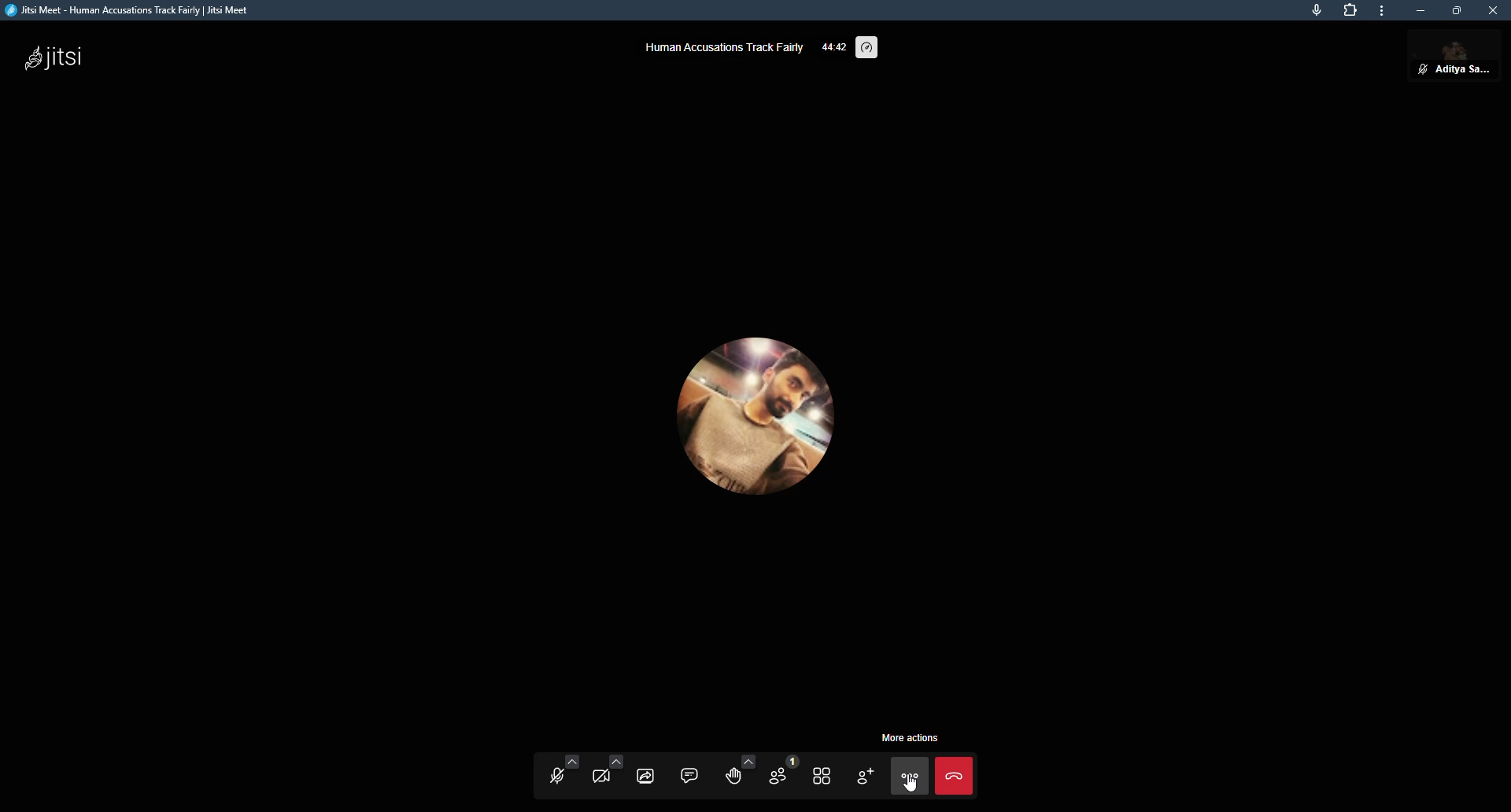 This screenshot has width=1511, height=812. What do you see at coordinates (952, 776) in the screenshot?
I see `end call` at bounding box center [952, 776].